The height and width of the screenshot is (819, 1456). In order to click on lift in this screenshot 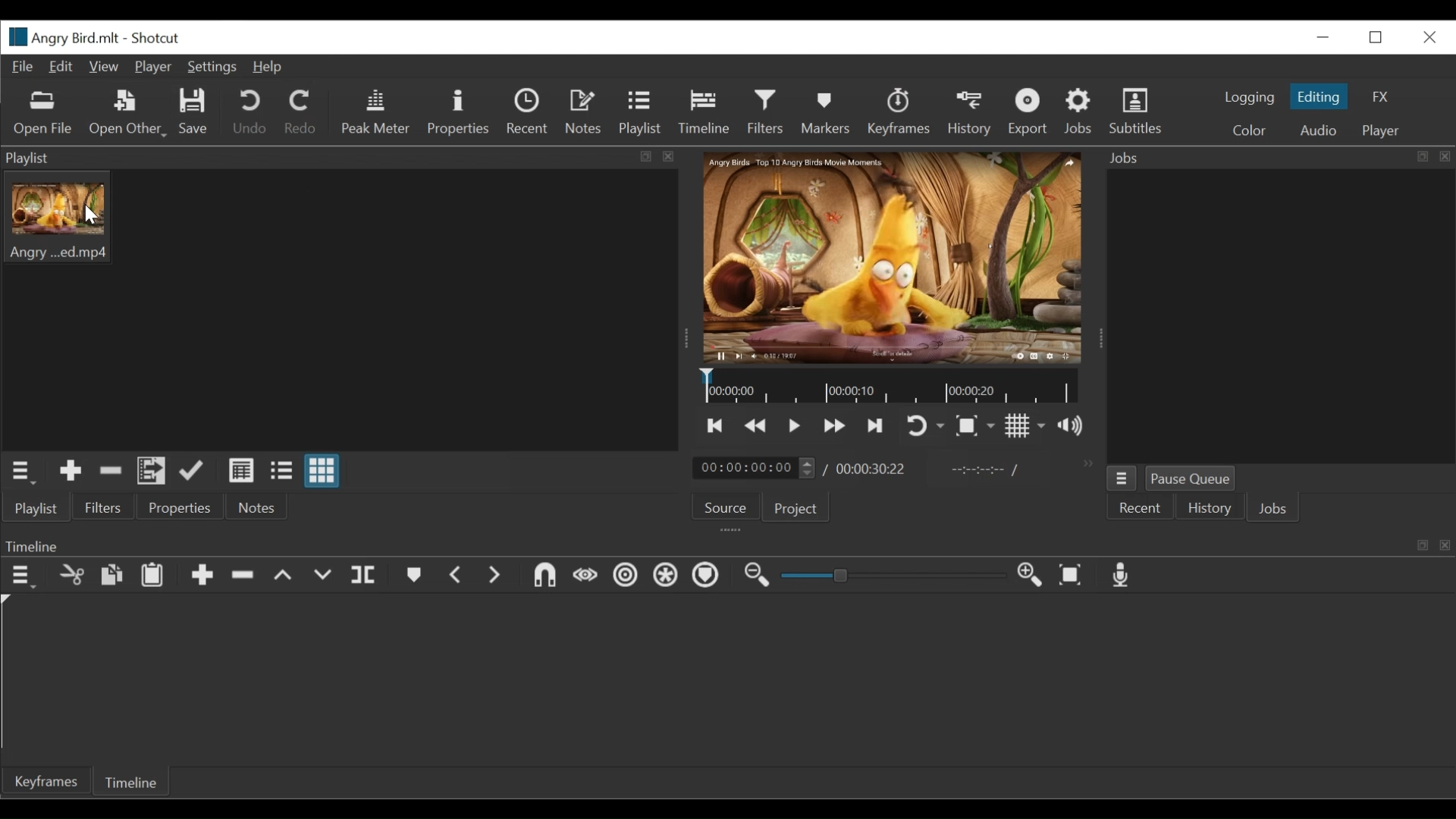, I will do `click(285, 577)`.